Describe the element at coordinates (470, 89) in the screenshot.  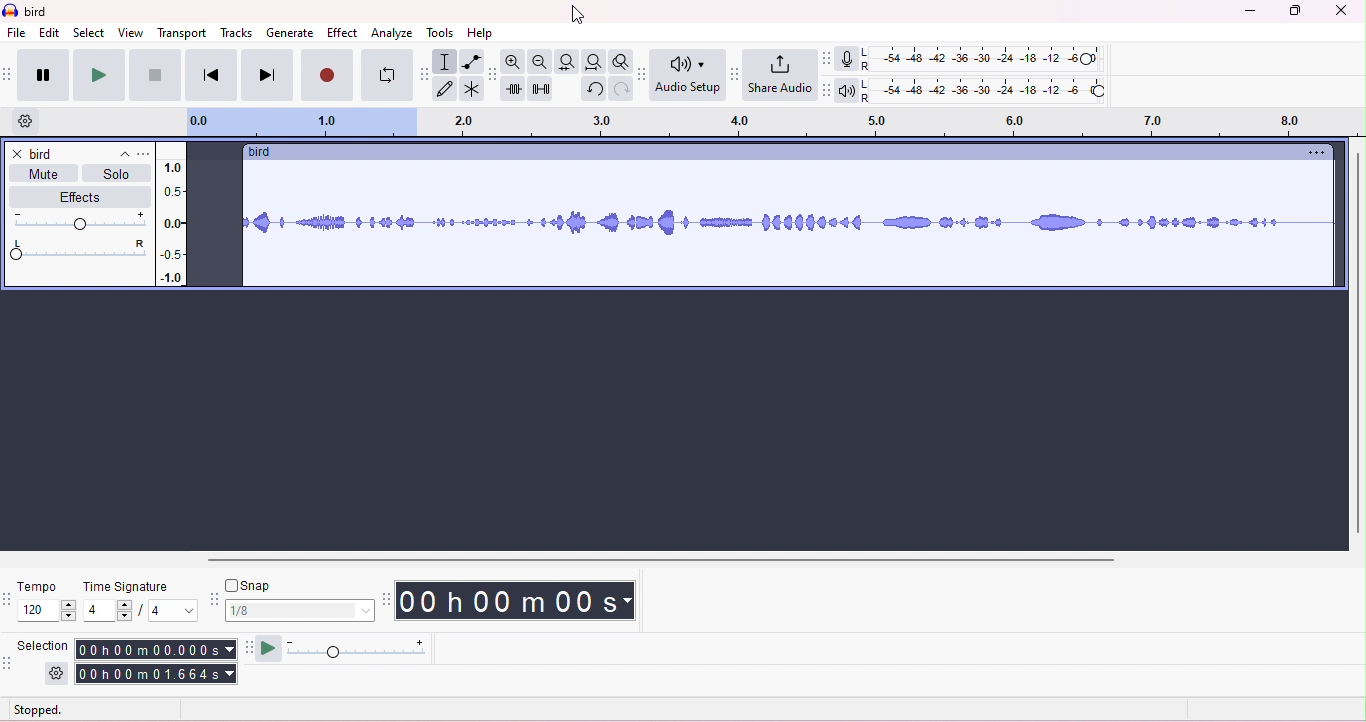
I see `multi` at that location.